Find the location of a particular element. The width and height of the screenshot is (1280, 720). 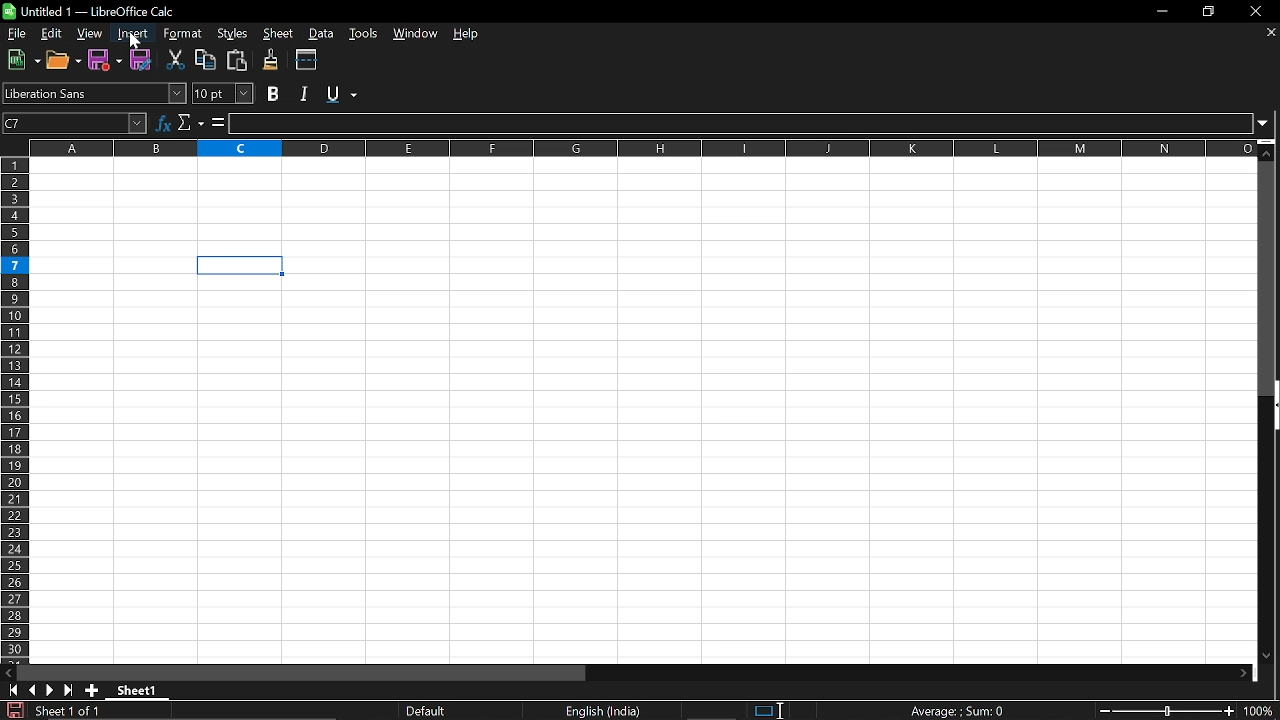

Fillable cells is located at coordinates (113, 265).